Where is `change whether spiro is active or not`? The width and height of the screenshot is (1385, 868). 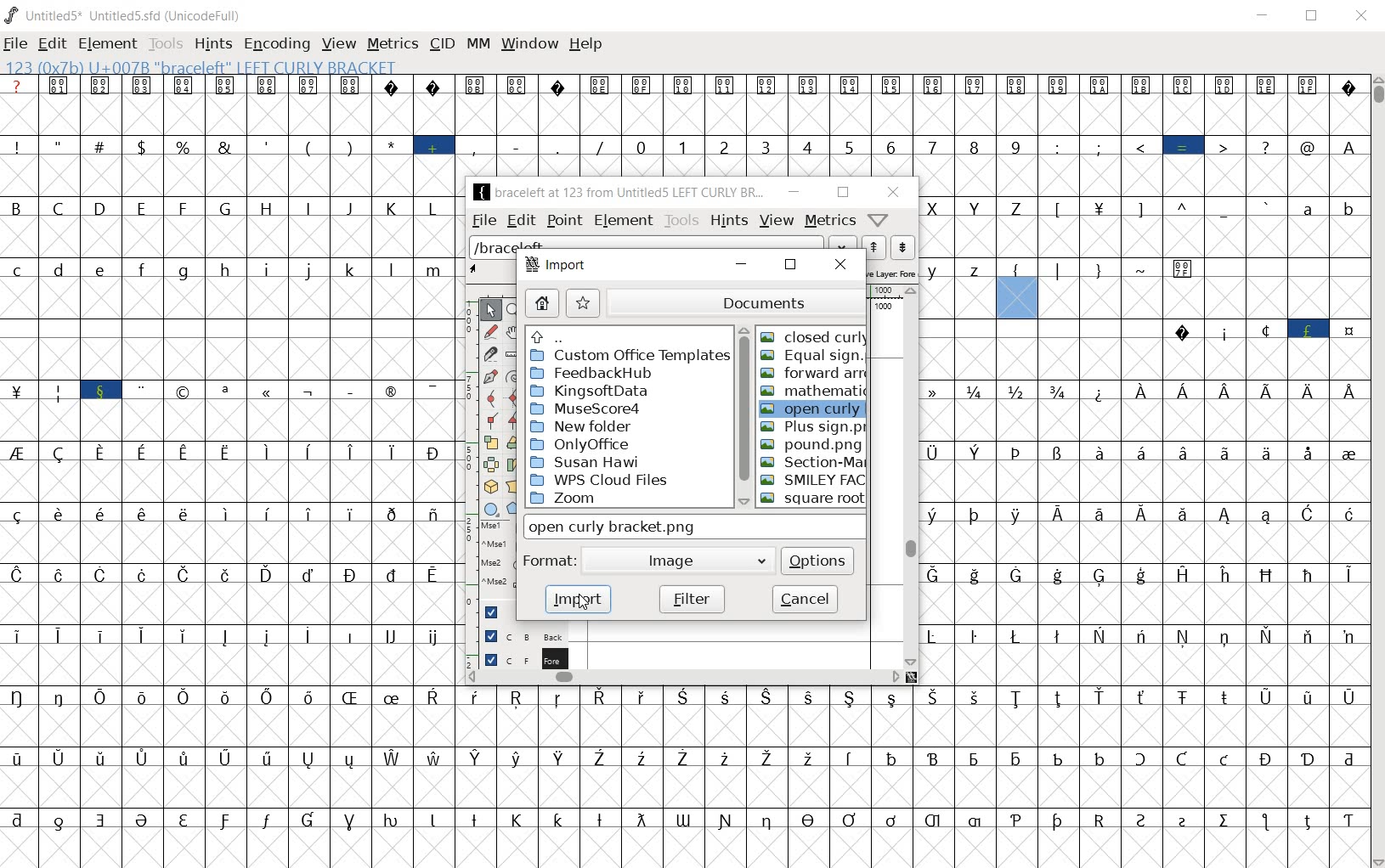
change whether spiro is active or not is located at coordinates (514, 375).